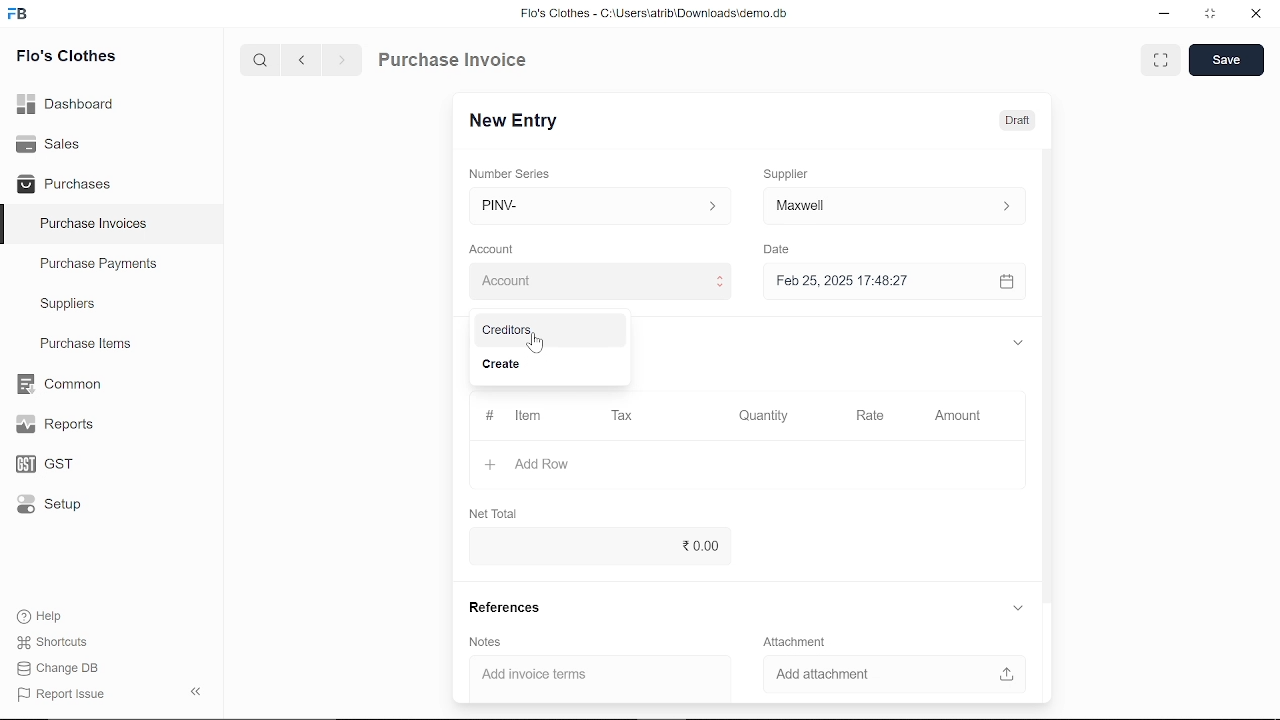 This screenshot has width=1280, height=720. What do you see at coordinates (874, 281) in the screenshot?
I see ` Feb 25, 2025 17:48:27` at bounding box center [874, 281].